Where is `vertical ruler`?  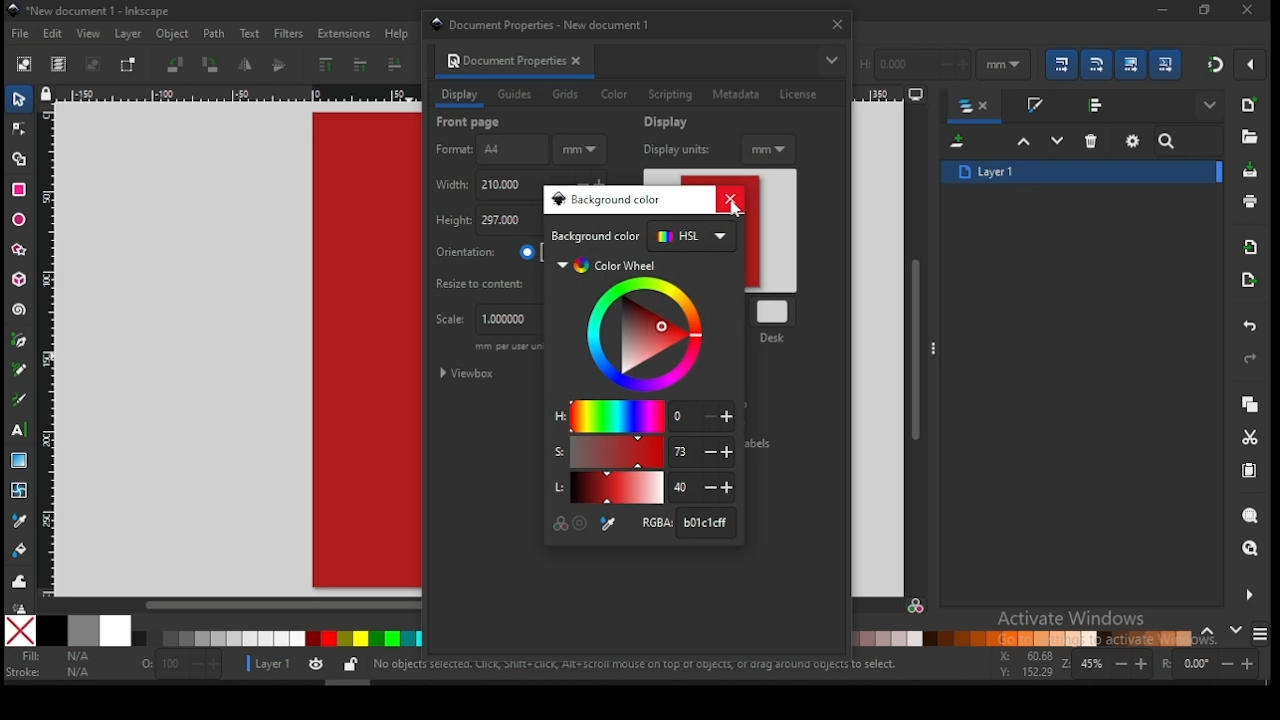
vertical ruler is located at coordinates (52, 348).